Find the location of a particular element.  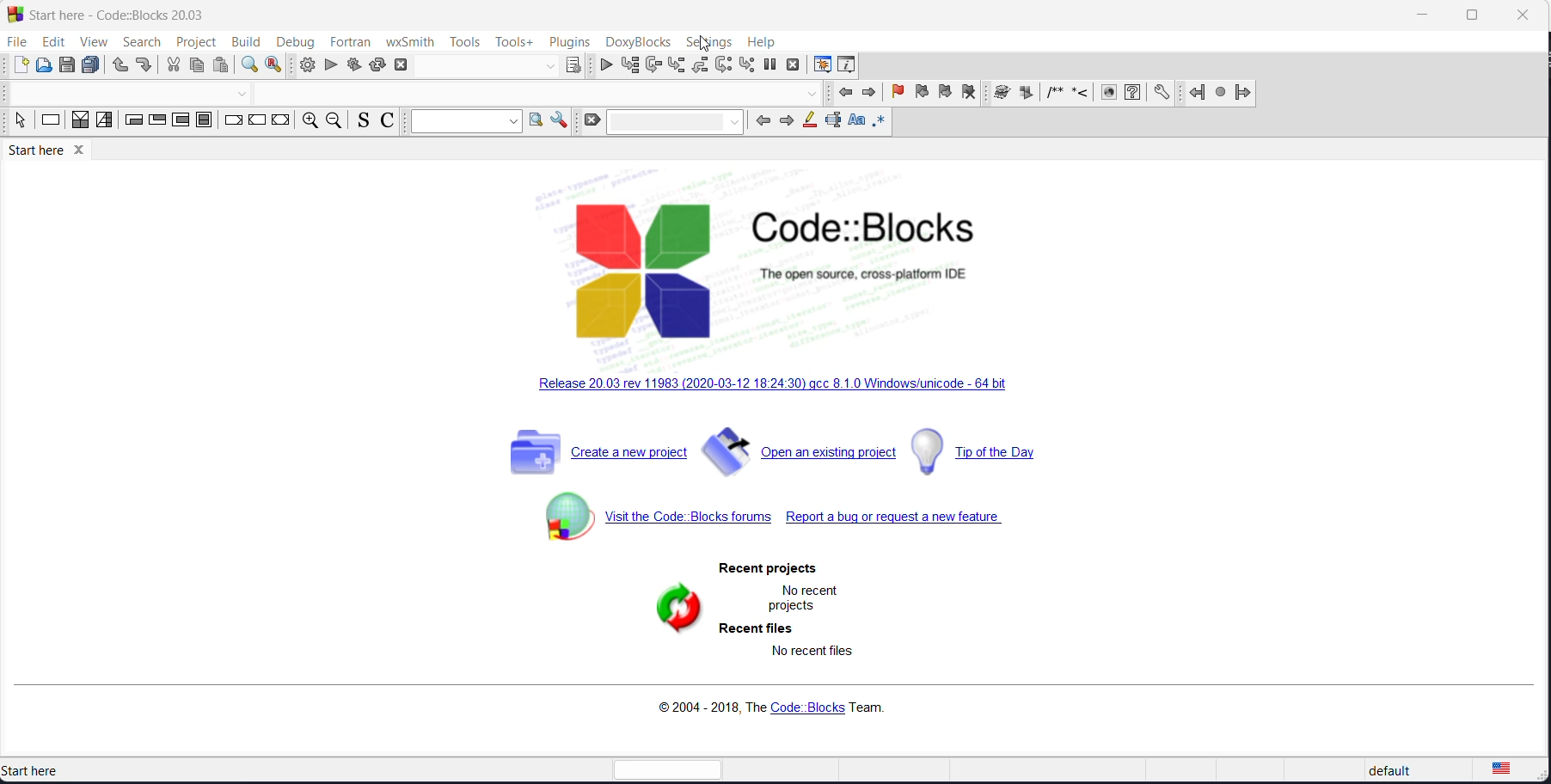

next instruction is located at coordinates (723, 66).